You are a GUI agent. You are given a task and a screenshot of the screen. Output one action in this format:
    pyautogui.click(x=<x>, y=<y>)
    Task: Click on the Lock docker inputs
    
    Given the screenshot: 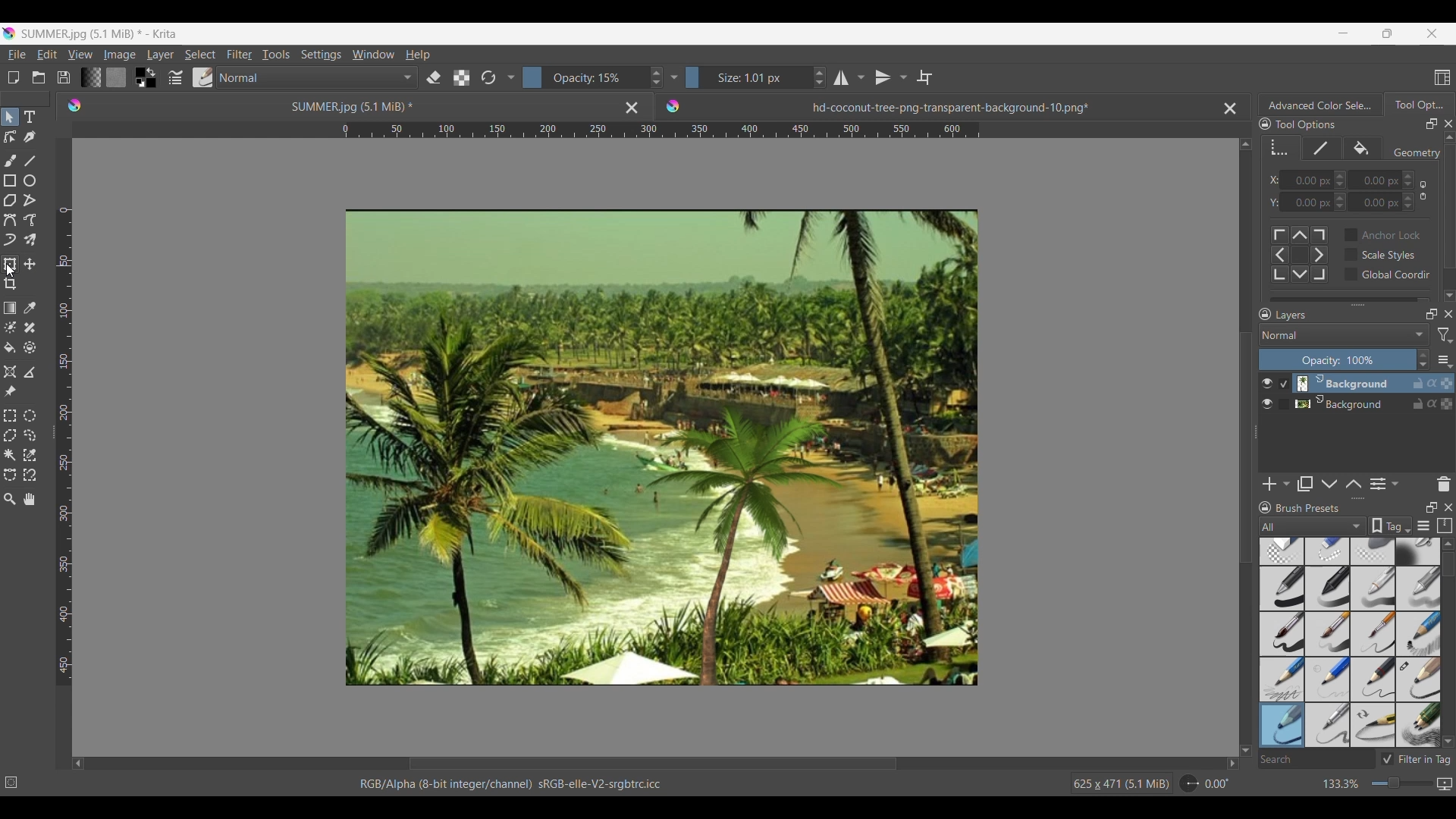 What is the action you would take?
    pyautogui.click(x=1265, y=124)
    